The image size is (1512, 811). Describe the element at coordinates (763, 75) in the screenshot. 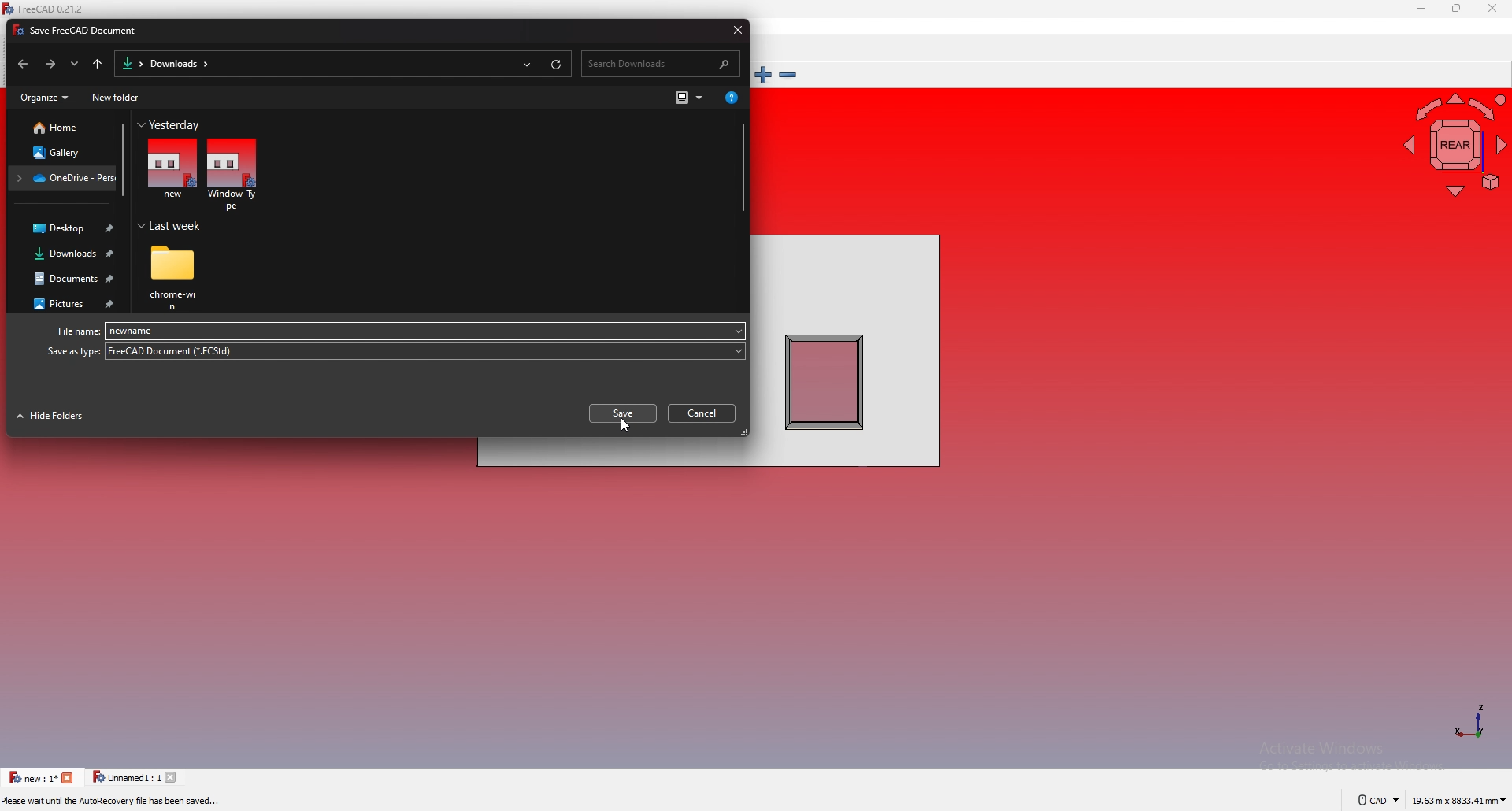

I see `zoom in` at that location.